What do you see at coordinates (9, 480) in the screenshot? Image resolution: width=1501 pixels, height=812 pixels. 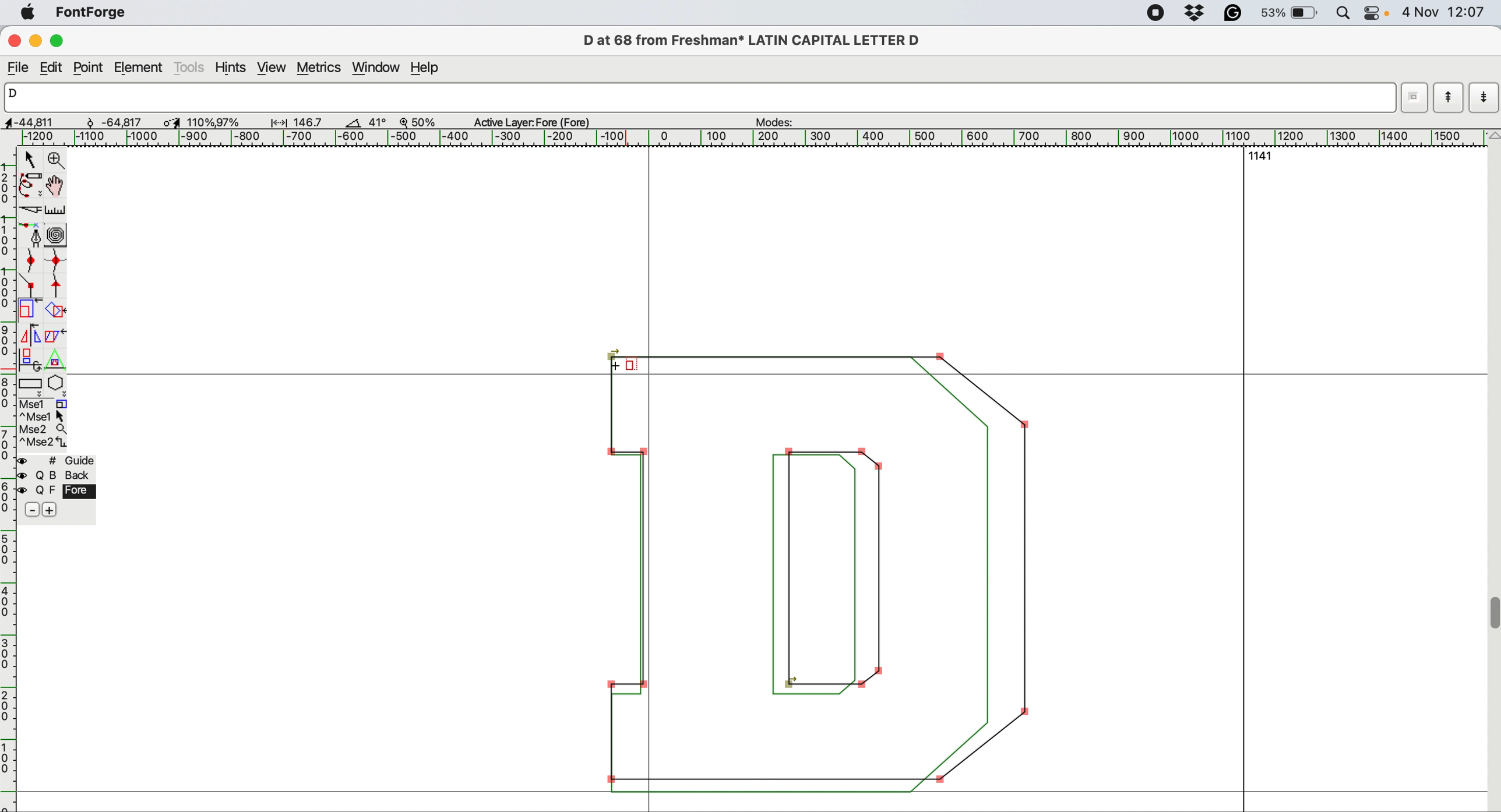 I see `horizontal scale` at bounding box center [9, 480].